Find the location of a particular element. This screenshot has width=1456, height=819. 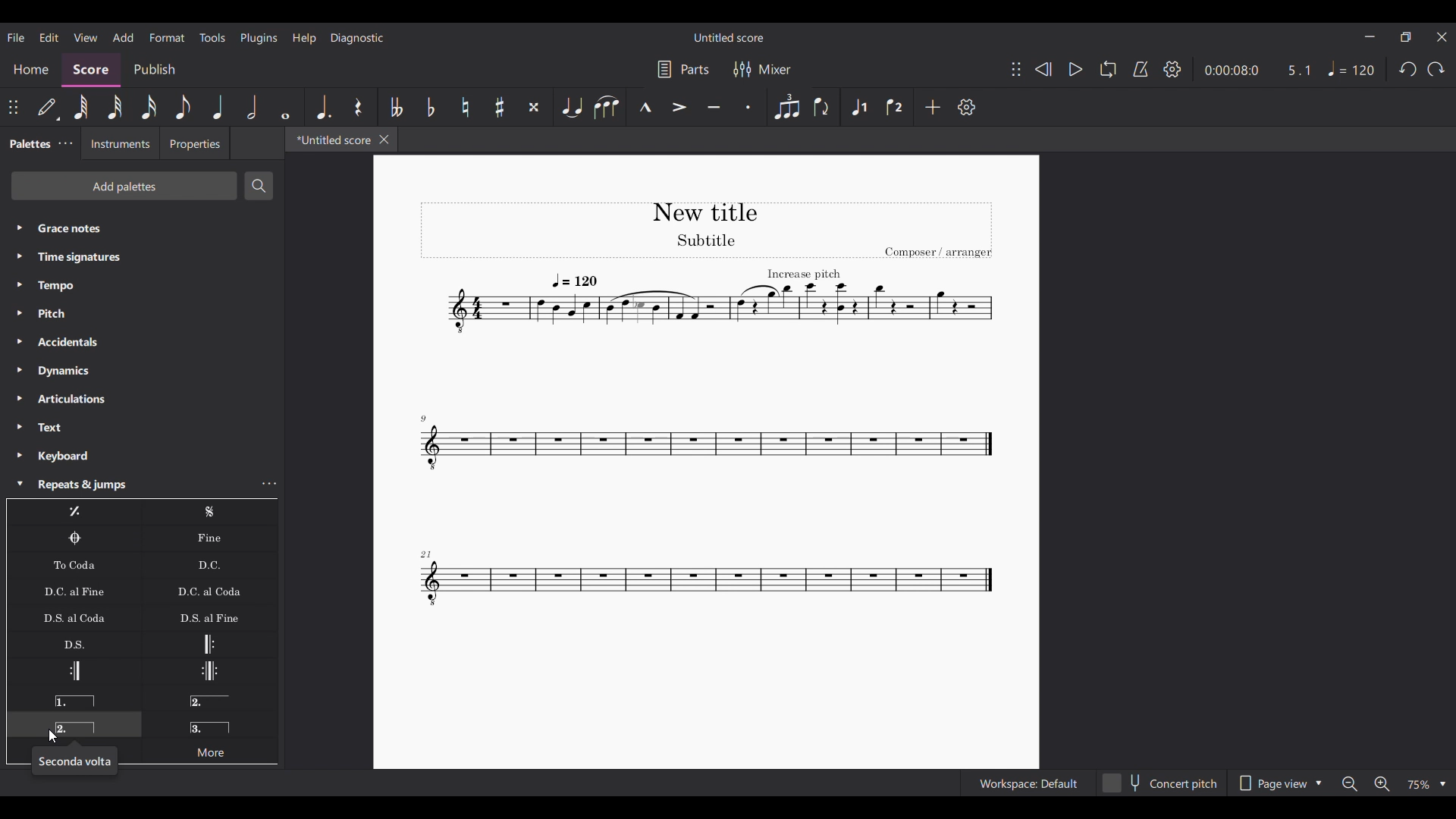

Concert pitch toggle is located at coordinates (1161, 783).